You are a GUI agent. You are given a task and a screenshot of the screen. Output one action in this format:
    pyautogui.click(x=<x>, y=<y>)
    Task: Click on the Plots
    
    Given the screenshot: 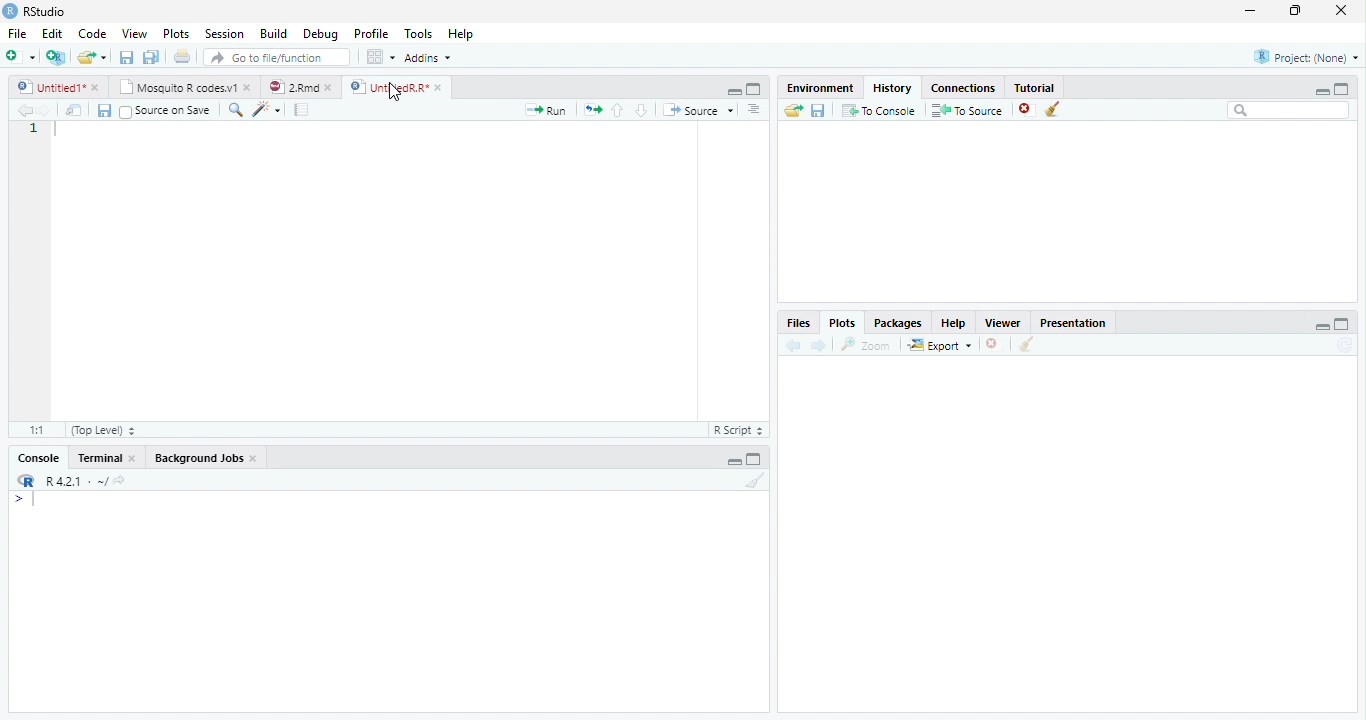 What is the action you would take?
    pyautogui.click(x=843, y=322)
    